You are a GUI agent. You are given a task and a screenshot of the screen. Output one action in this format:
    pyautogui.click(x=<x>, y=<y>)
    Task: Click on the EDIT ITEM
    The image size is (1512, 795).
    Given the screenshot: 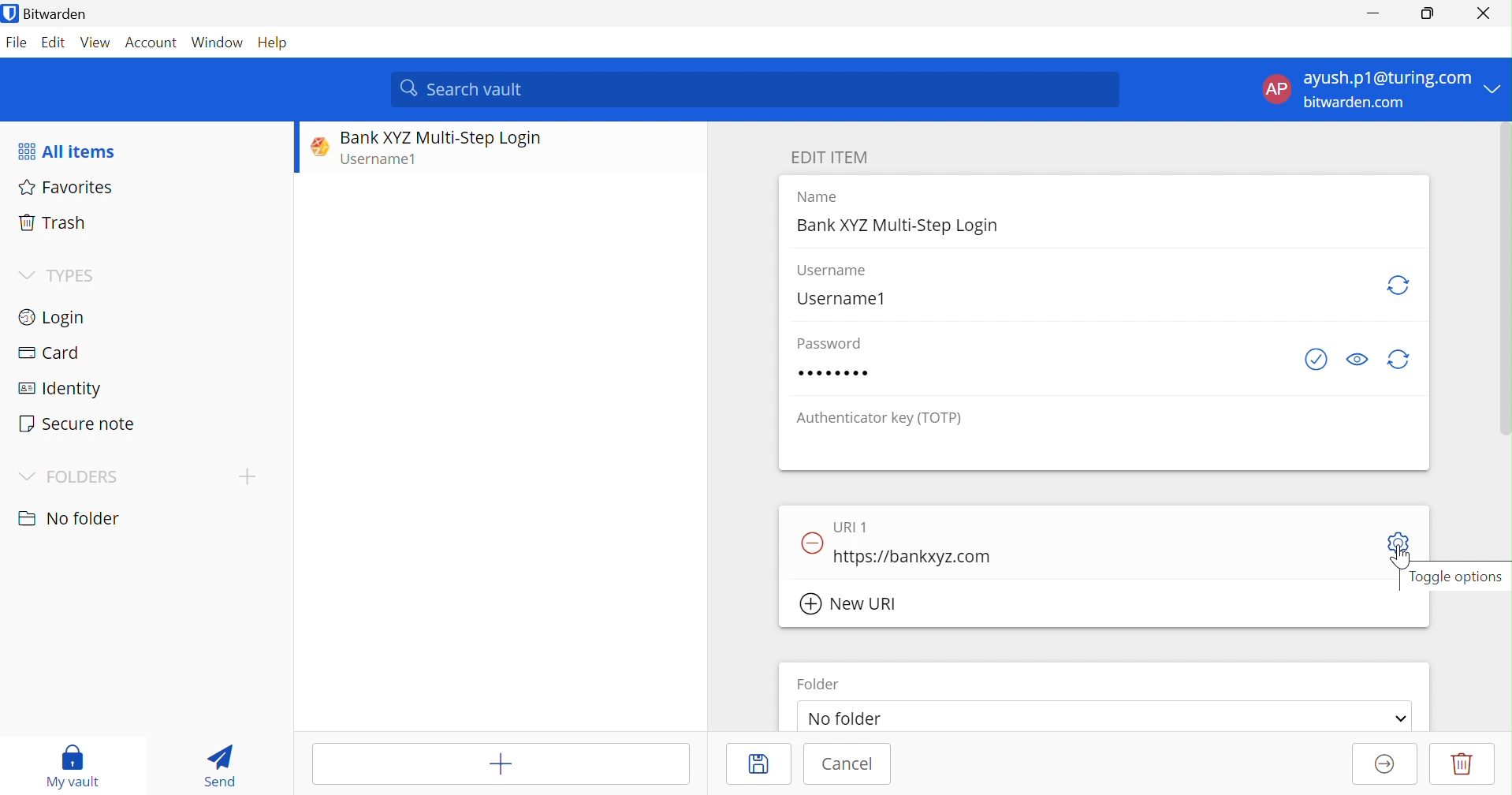 What is the action you would take?
    pyautogui.click(x=833, y=158)
    